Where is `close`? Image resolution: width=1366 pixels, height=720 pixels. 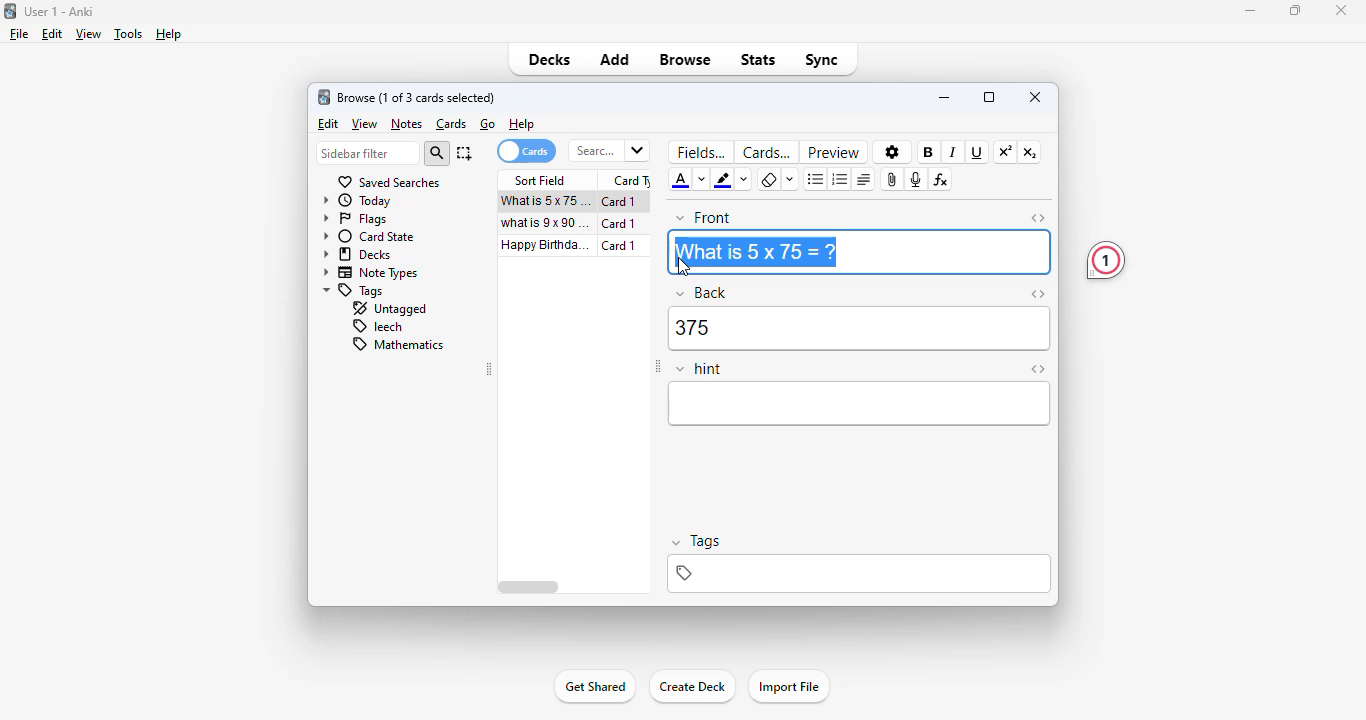
close is located at coordinates (1341, 11).